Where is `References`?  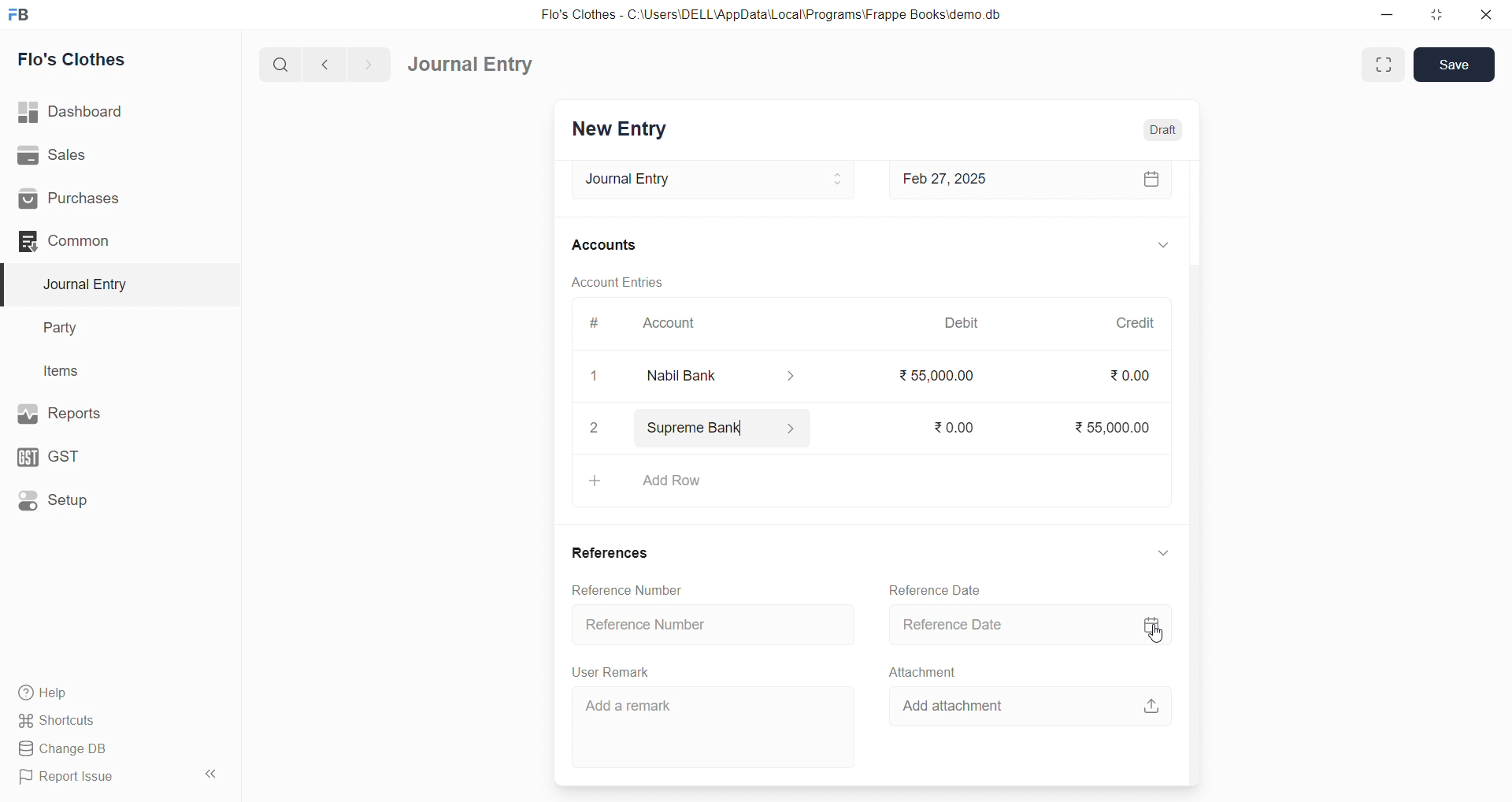
References is located at coordinates (611, 555).